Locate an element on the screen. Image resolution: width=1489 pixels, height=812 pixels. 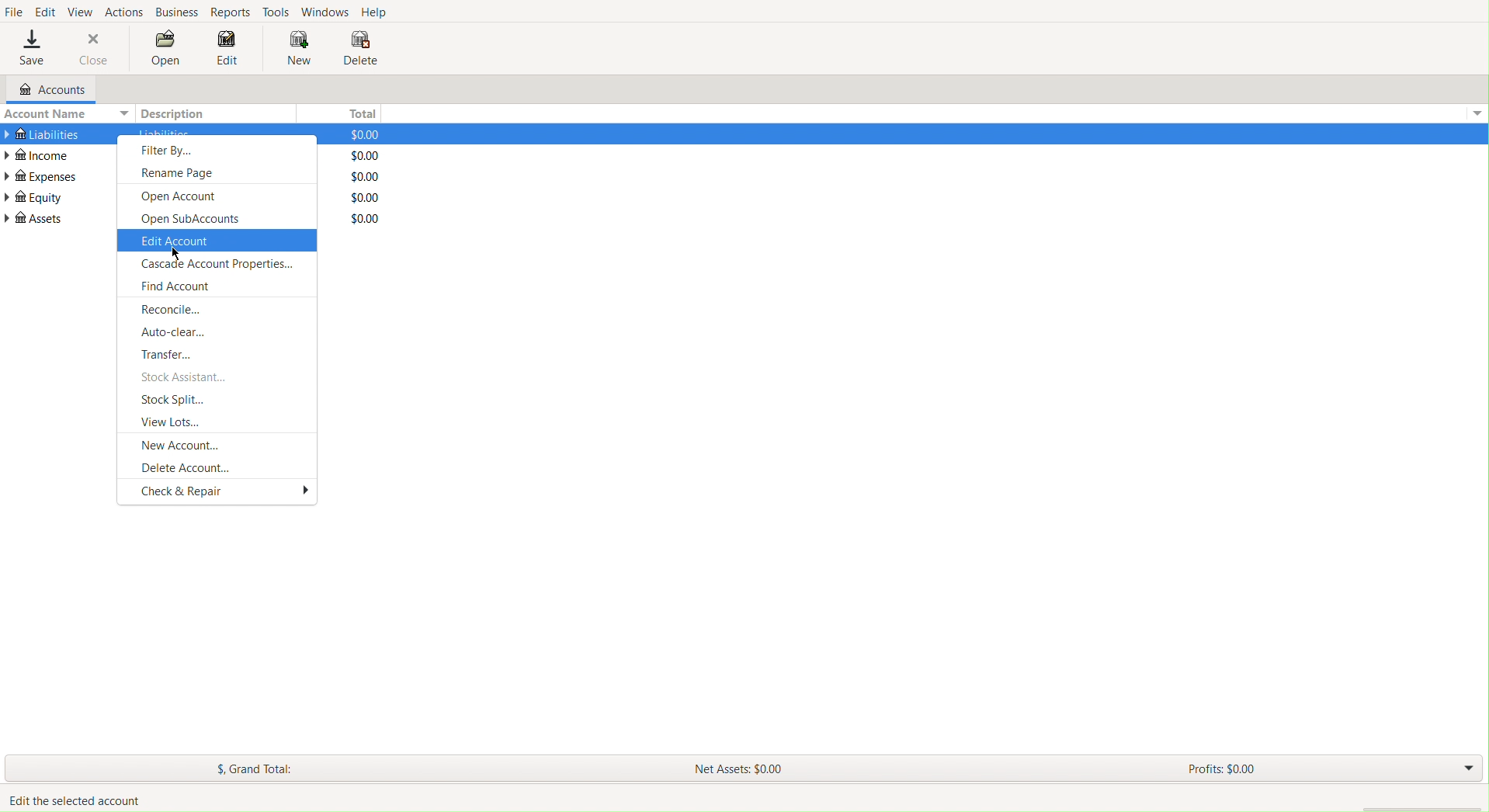
Auto-clear is located at coordinates (173, 332).